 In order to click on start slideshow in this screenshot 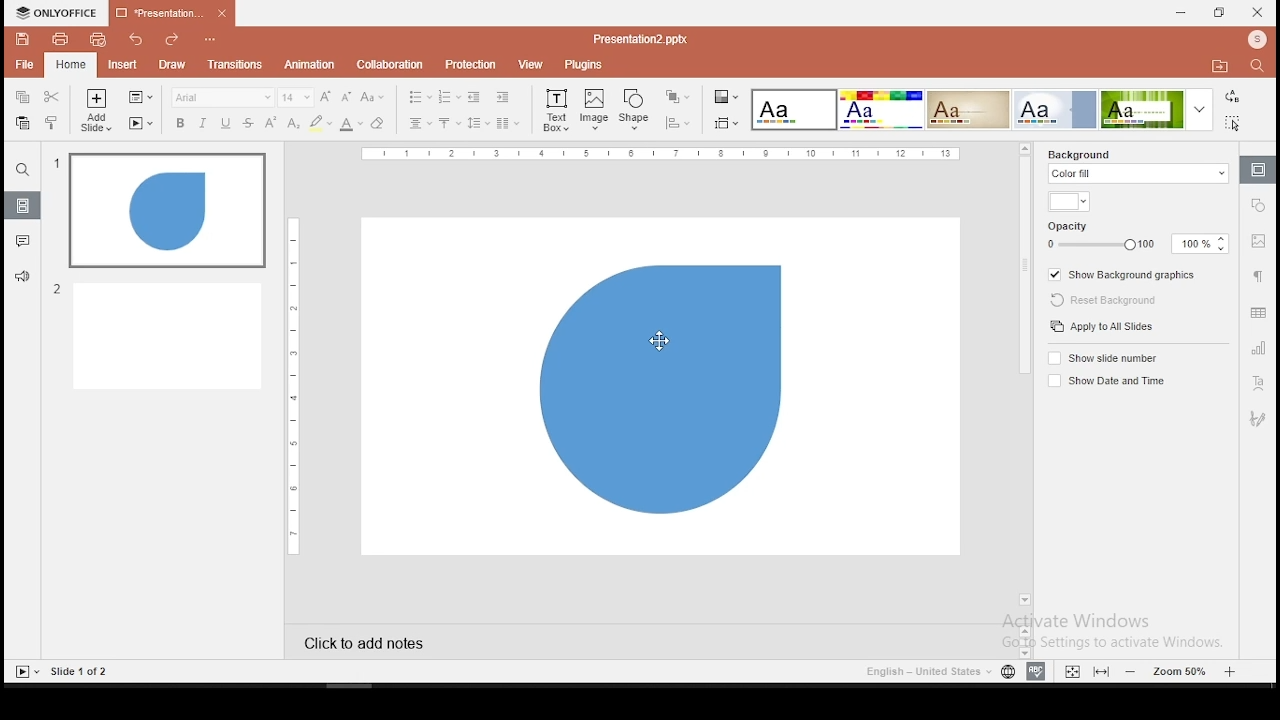, I will do `click(141, 124)`.